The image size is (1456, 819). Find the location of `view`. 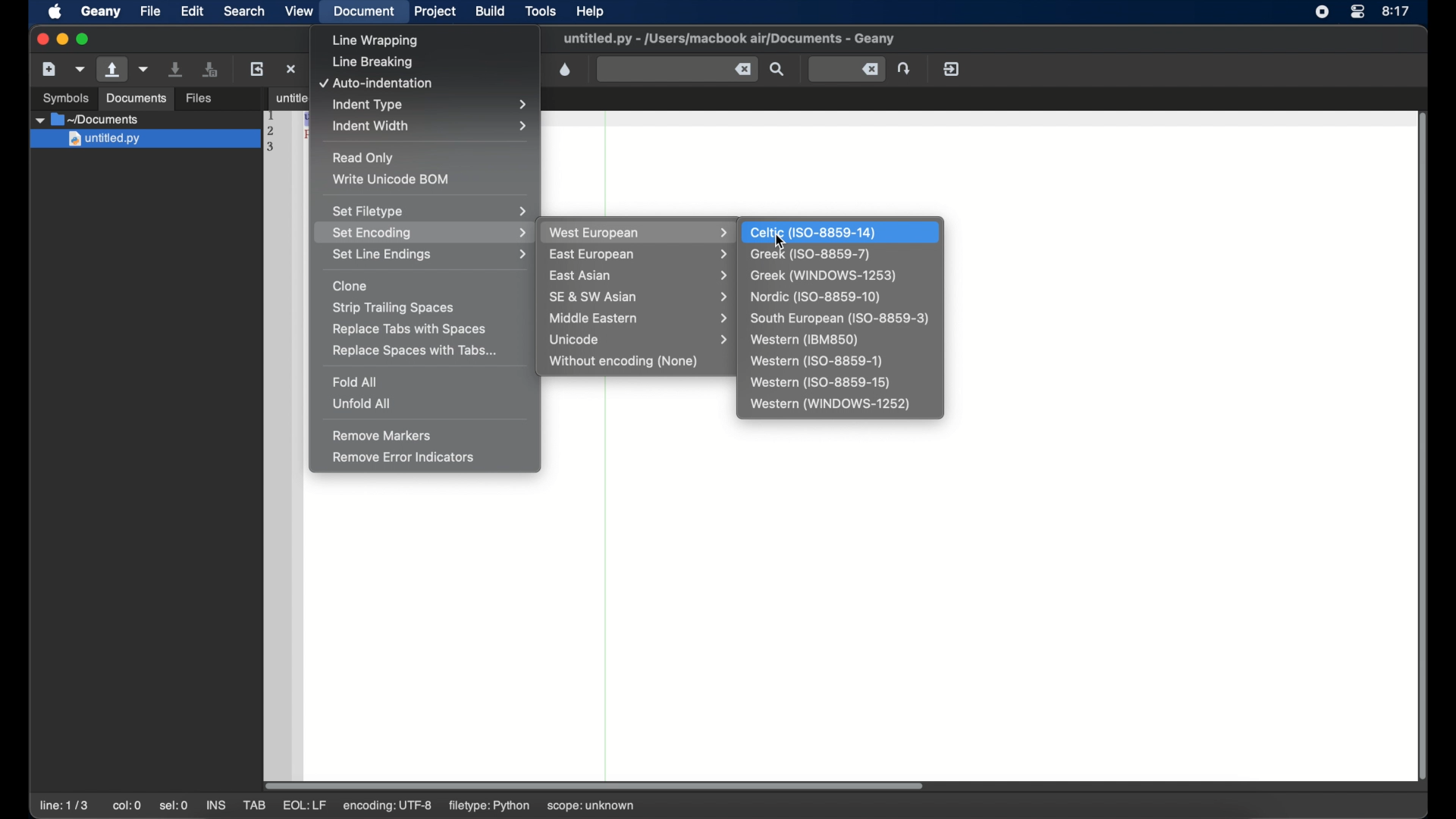

view is located at coordinates (299, 11).